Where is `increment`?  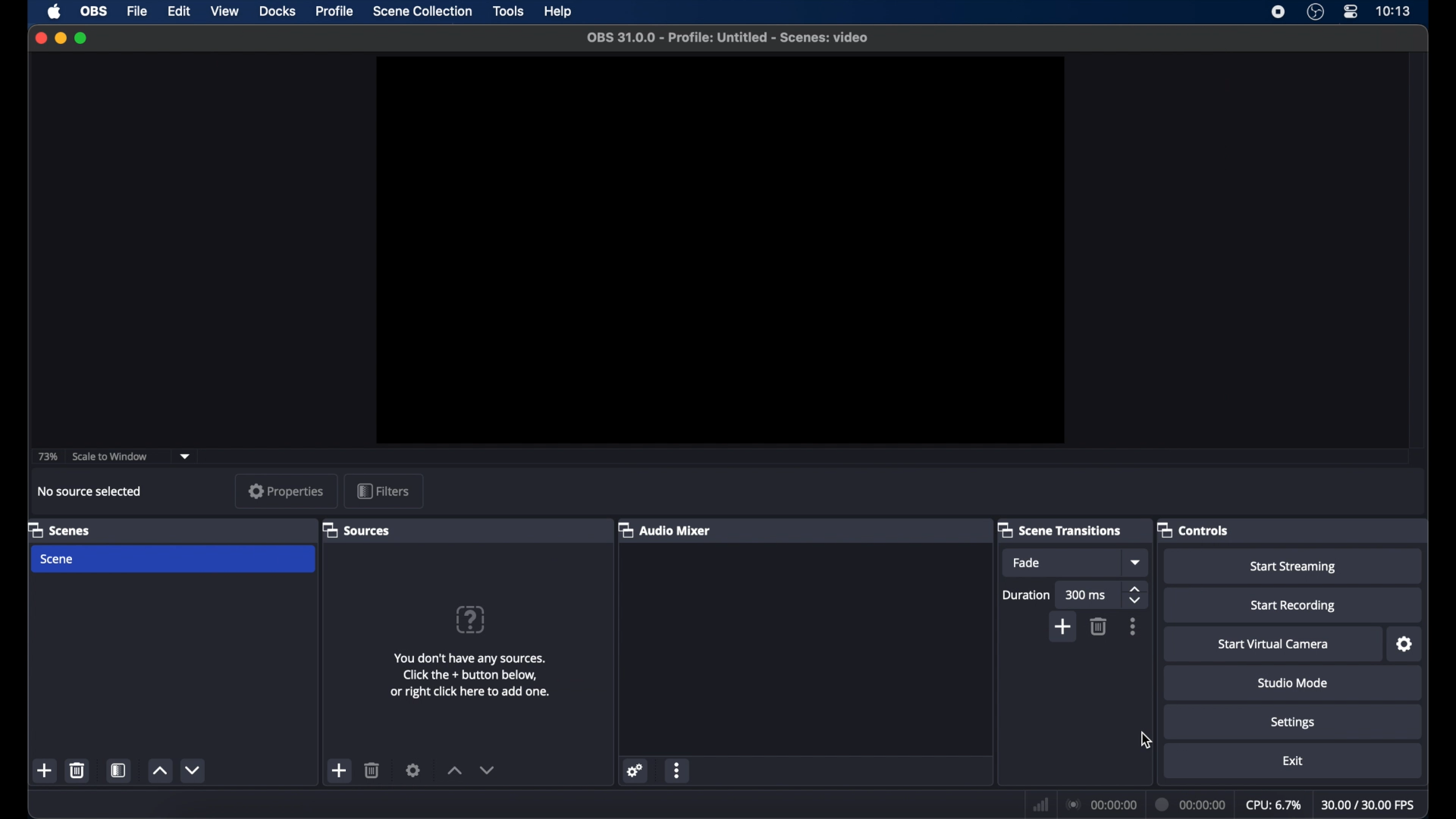
increment is located at coordinates (160, 771).